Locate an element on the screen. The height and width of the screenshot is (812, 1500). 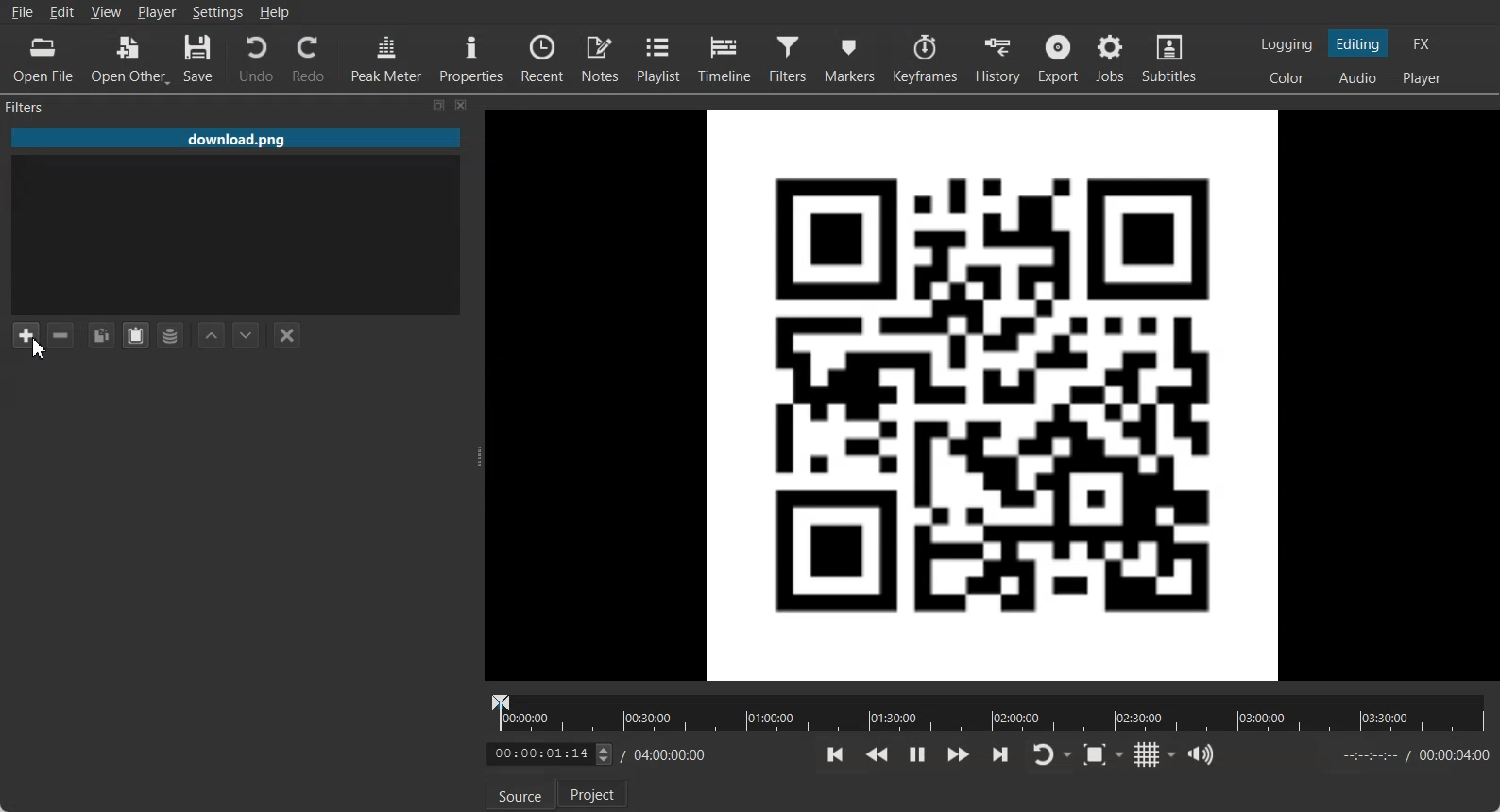
Drop down box is located at coordinates (1069, 755).